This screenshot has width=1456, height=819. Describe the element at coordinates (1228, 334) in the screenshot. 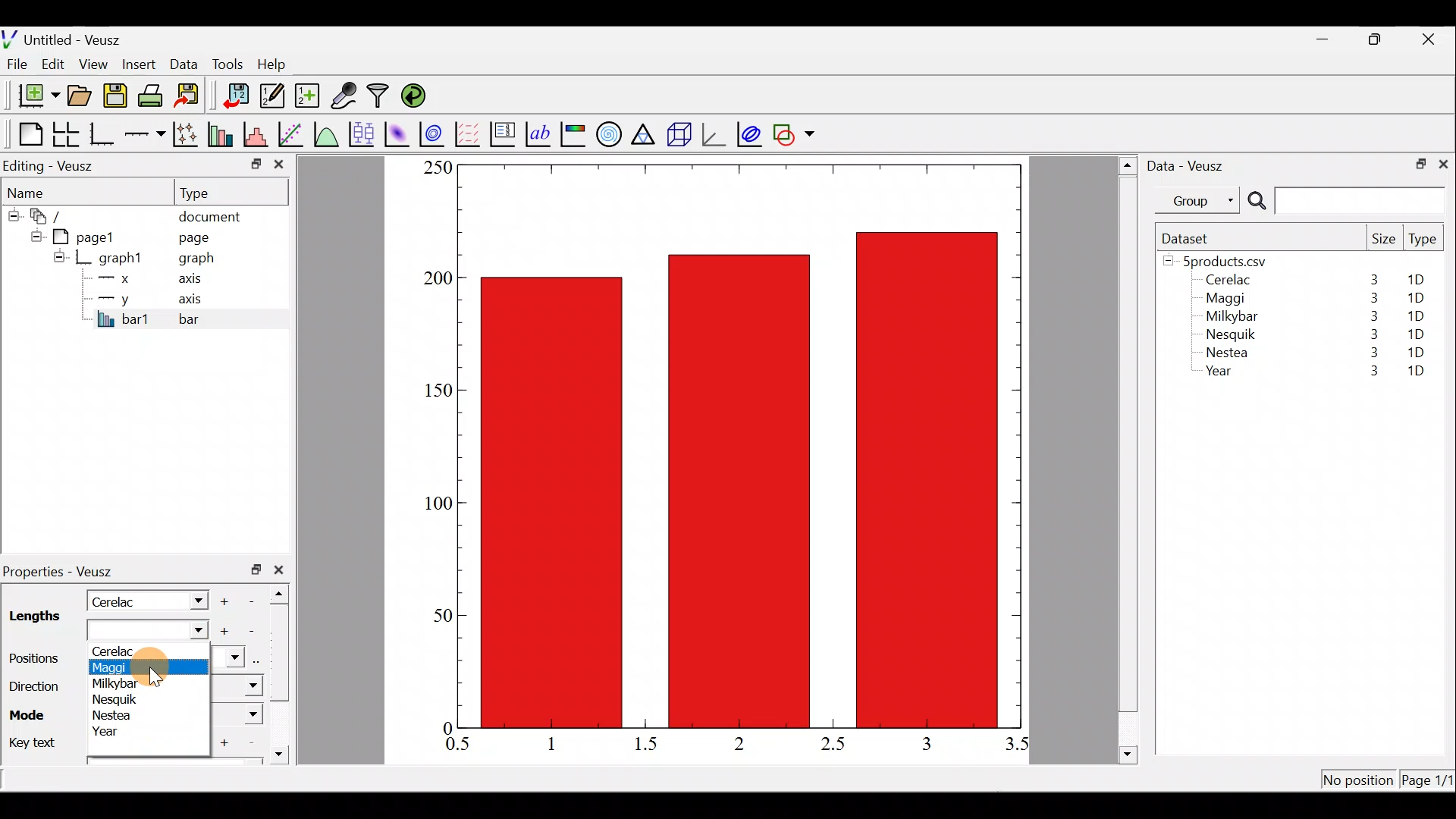

I see `Nesquik` at that location.